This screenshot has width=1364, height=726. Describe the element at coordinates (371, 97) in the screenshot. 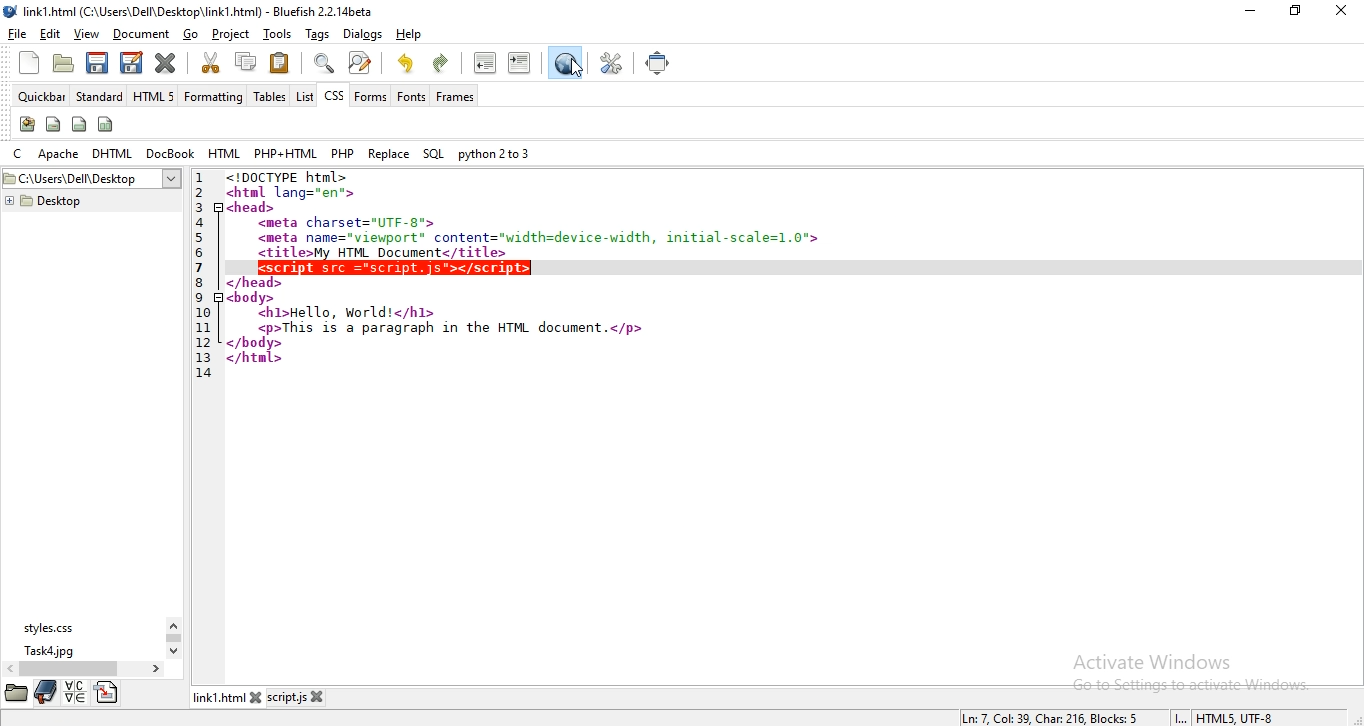

I see `forms` at that location.